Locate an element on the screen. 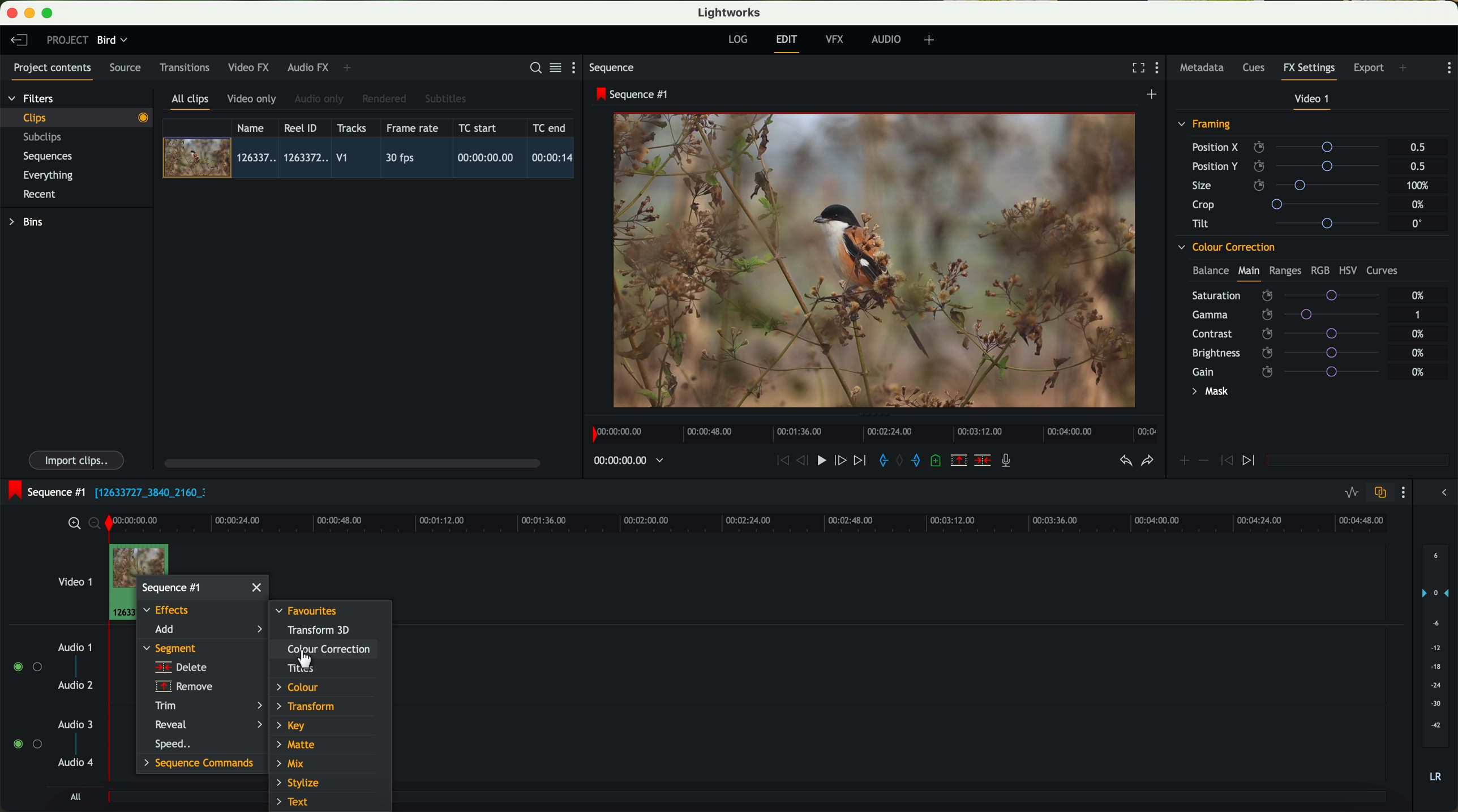  trim is located at coordinates (208, 705).